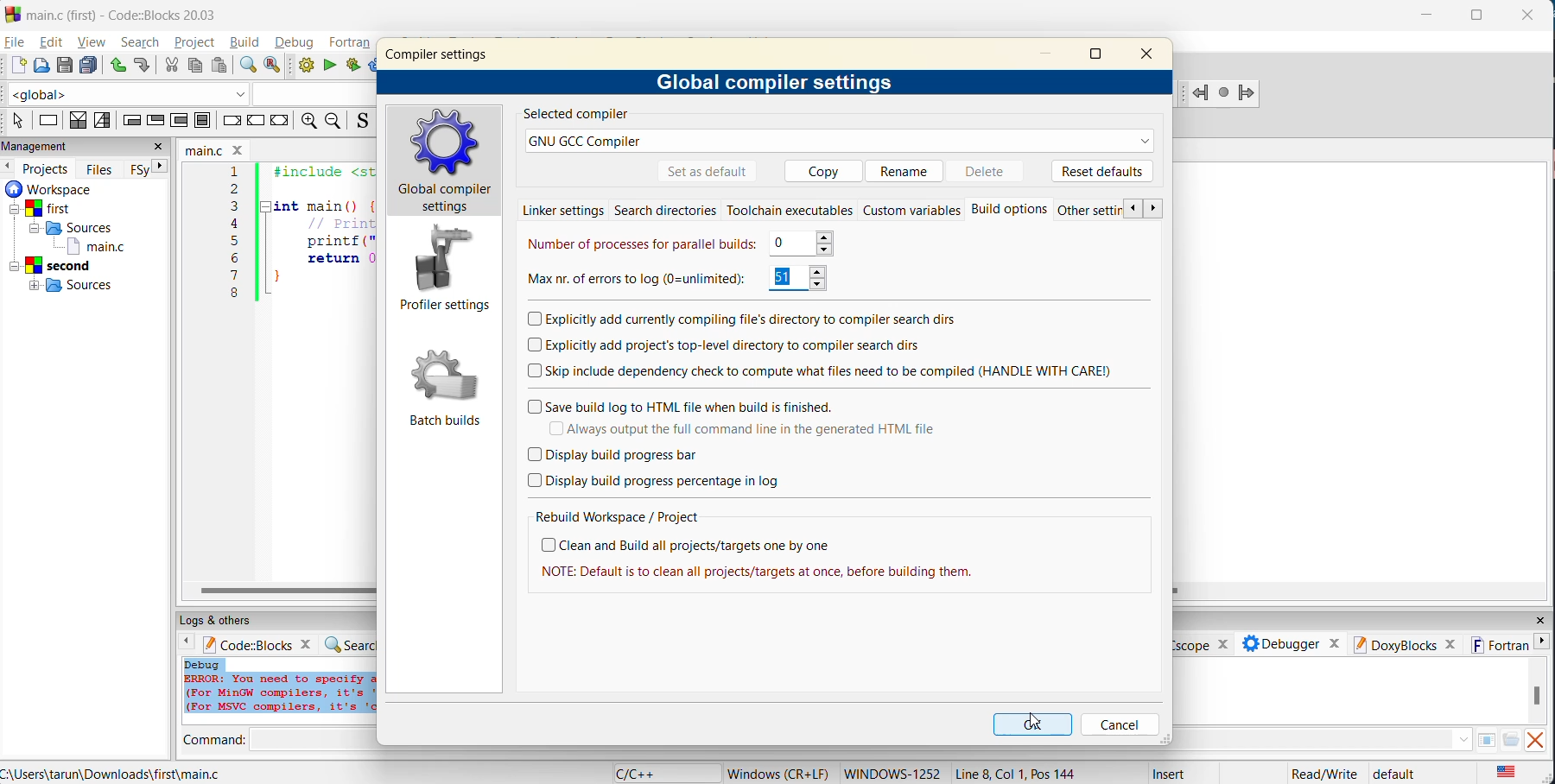 The image size is (1555, 784). Describe the element at coordinates (307, 121) in the screenshot. I see `zoom in` at that location.